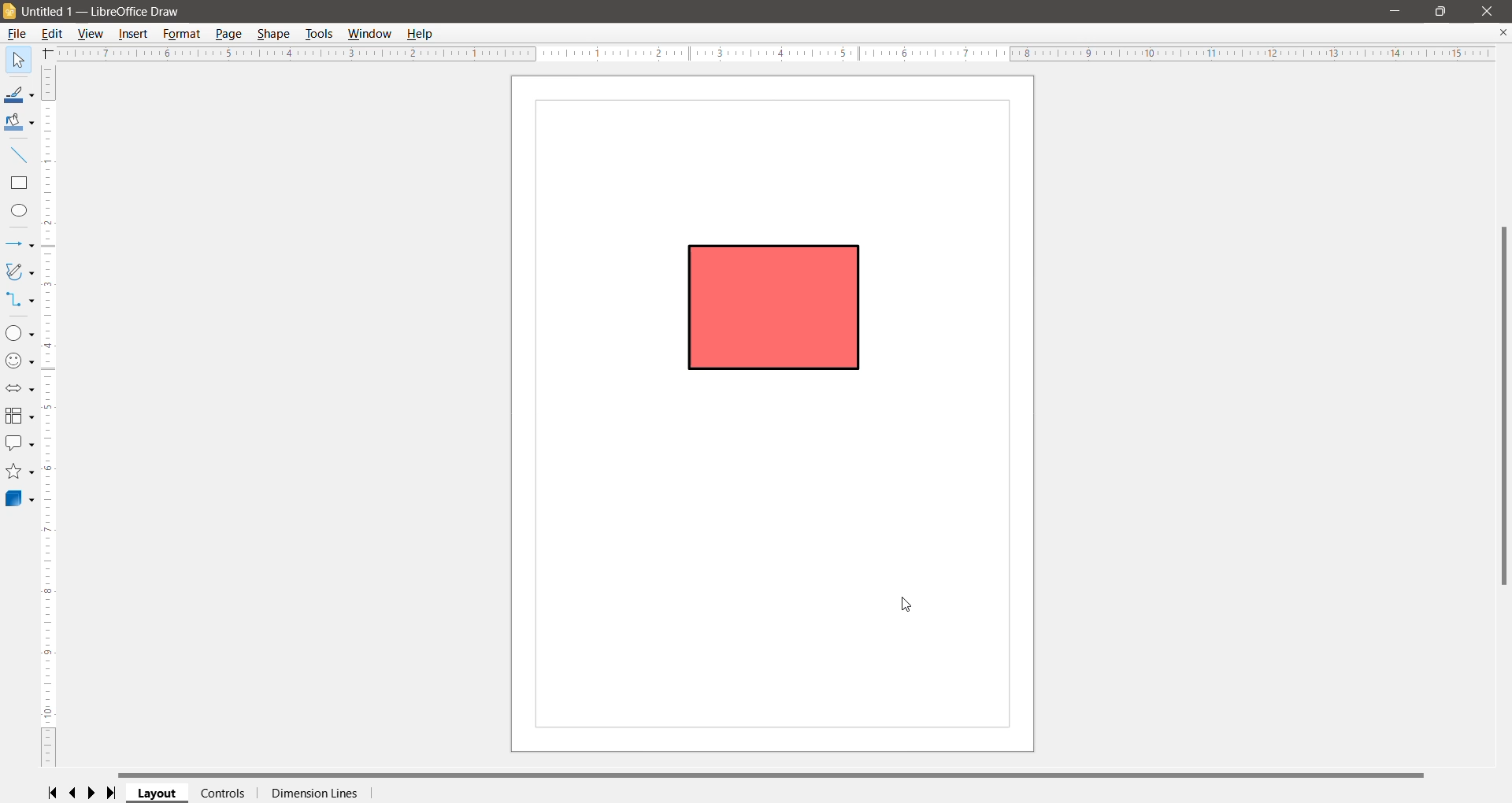 The height and width of the screenshot is (803, 1512). Describe the element at coordinates (1395, 10) in the screenshot. I see `Minimize` at that location.